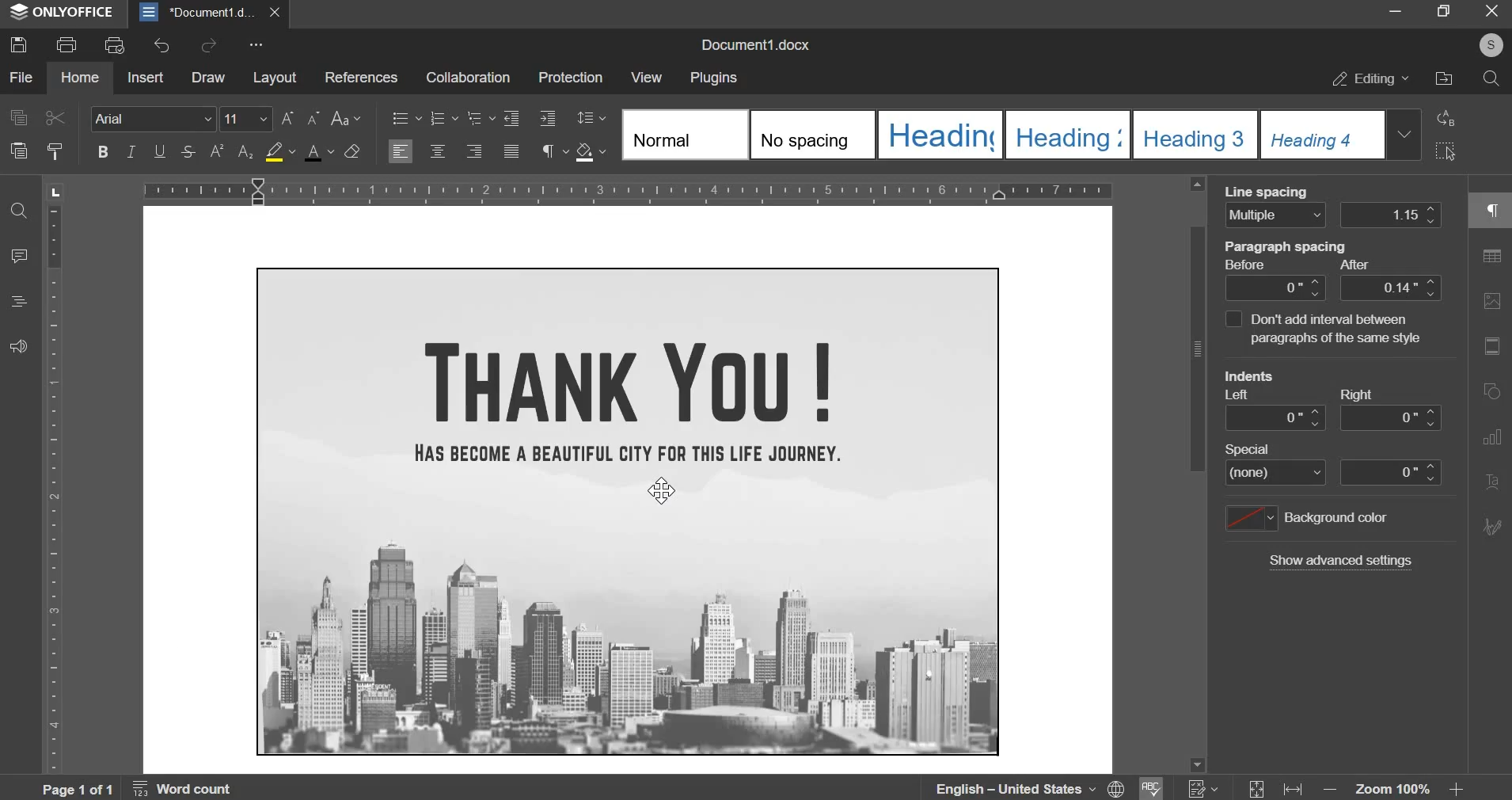 The image size is (1512, 800). I want to click on numbering, so click(443, 118).